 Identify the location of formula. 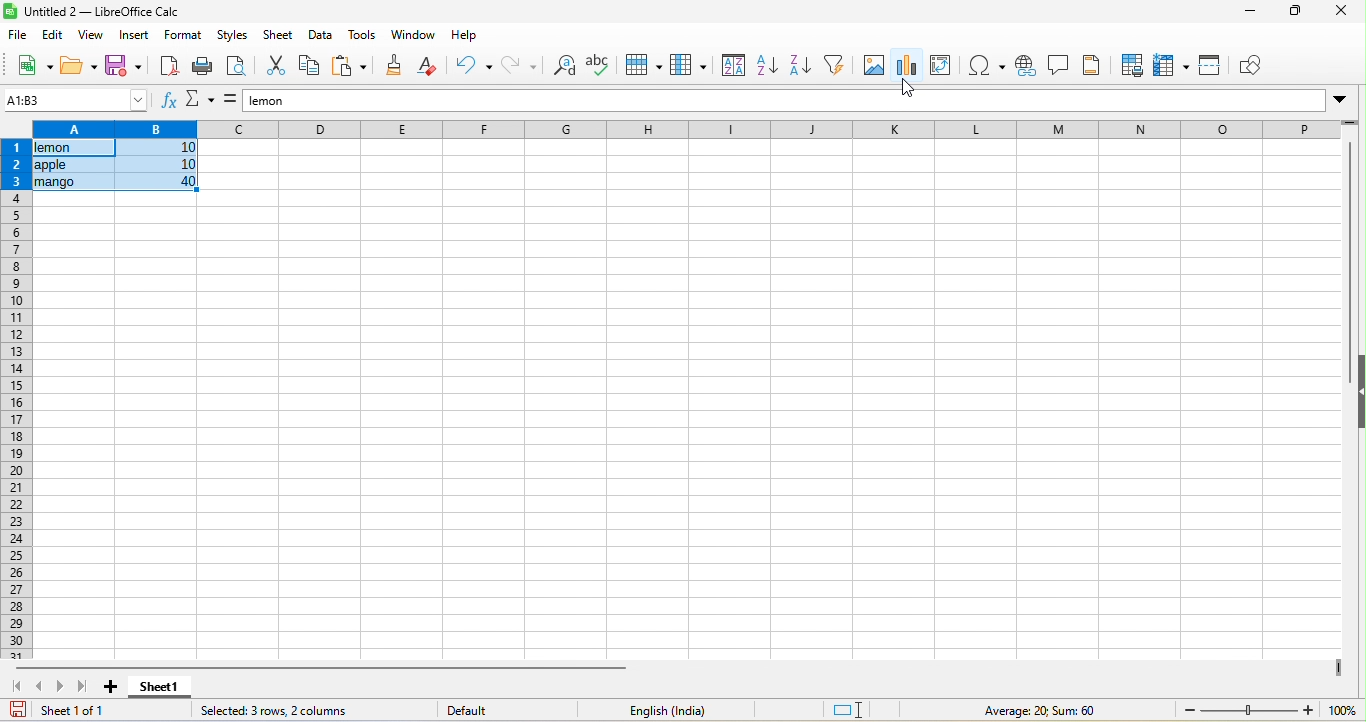
(230, 102).